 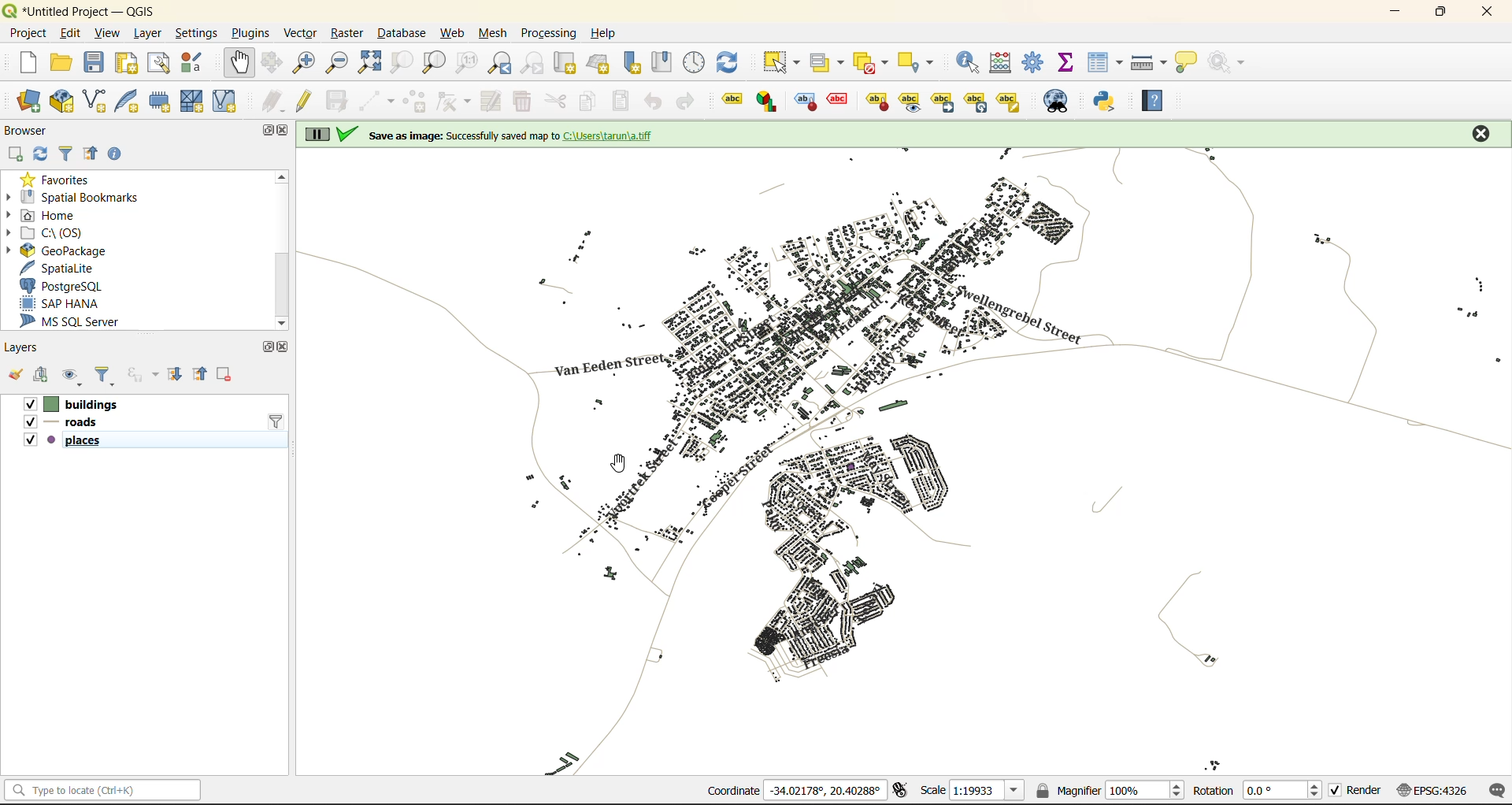 What do you see at coordinates (1394, 12) in the screenshot?
I see `minimize` at bounding box center [1394, 12].